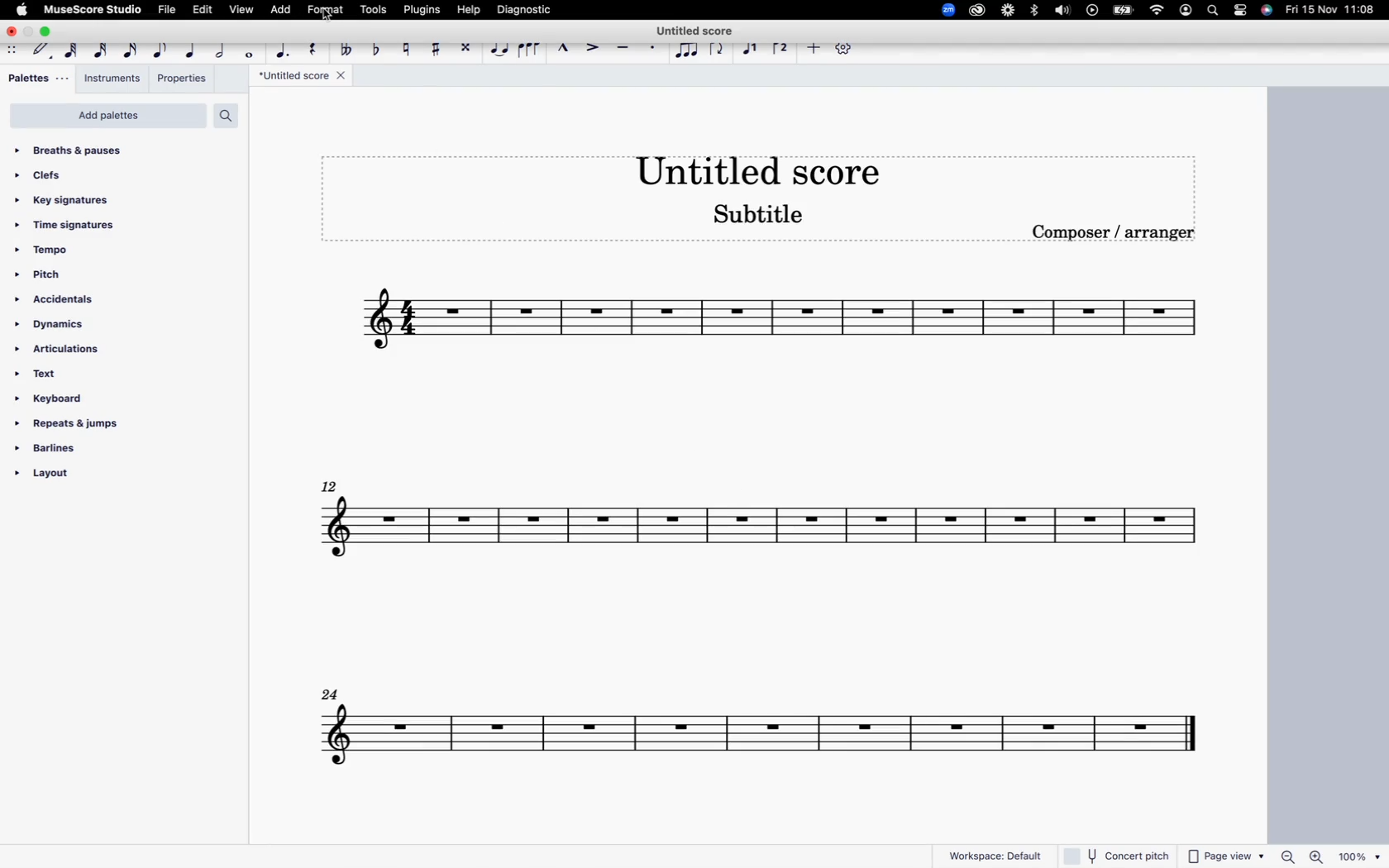 The height and width of the screenshot is (868, 1389). Describe the element at coordinates (422, 11) in the screenshot. I see `plugins` at that location.